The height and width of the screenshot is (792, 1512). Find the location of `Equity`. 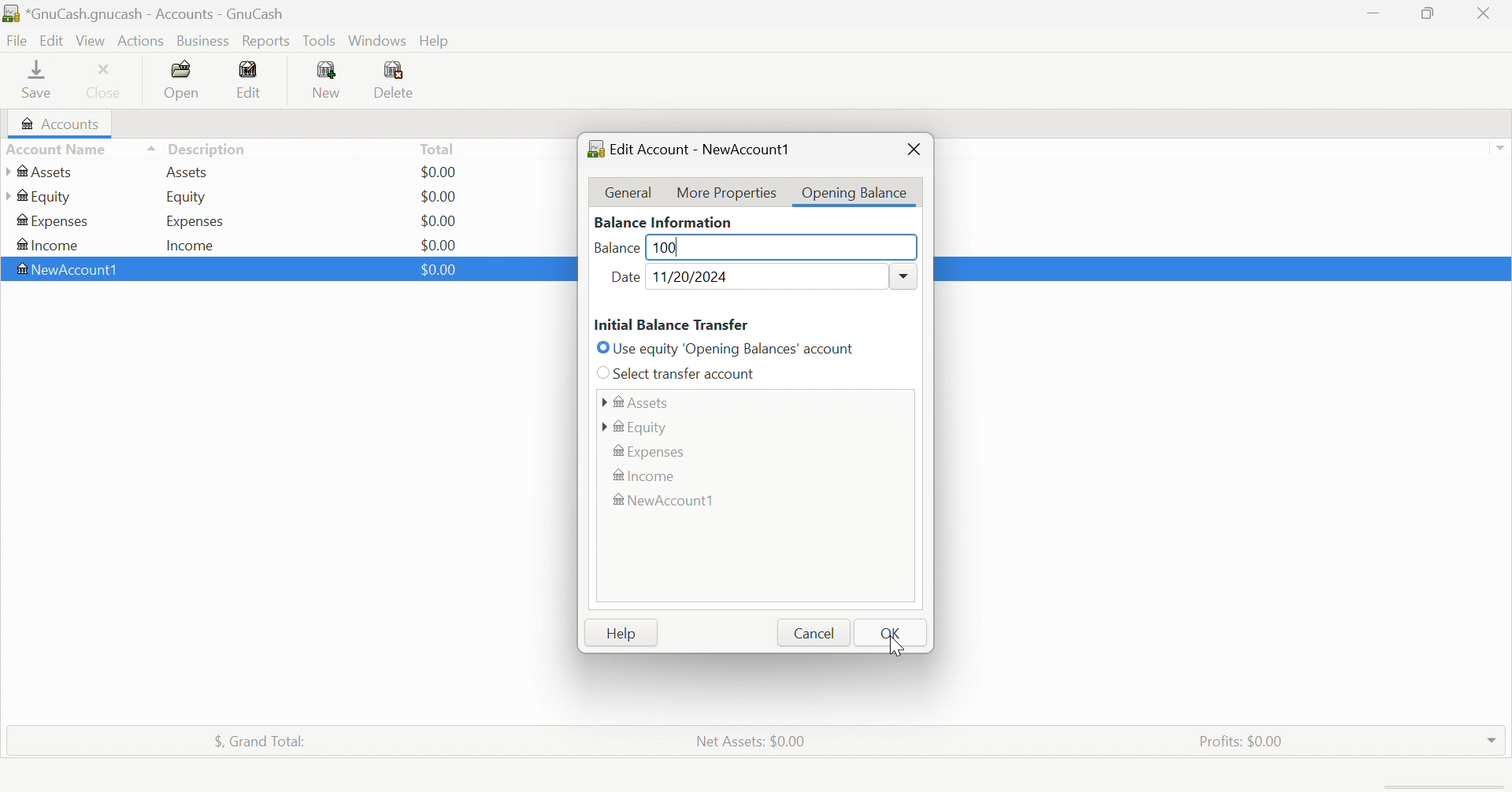

Equity is located at coordinates (638, 427).